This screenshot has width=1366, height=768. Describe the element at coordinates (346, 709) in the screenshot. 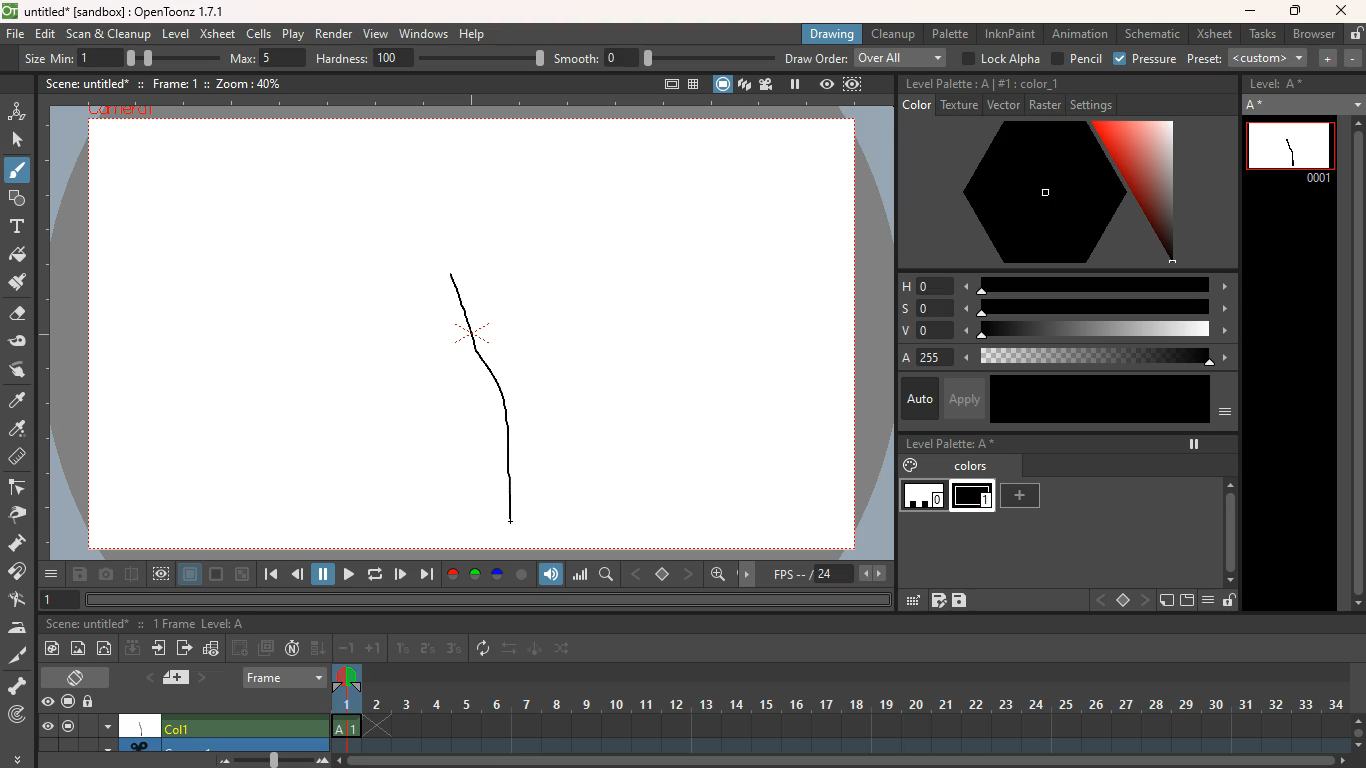

I see `frame` at that location.